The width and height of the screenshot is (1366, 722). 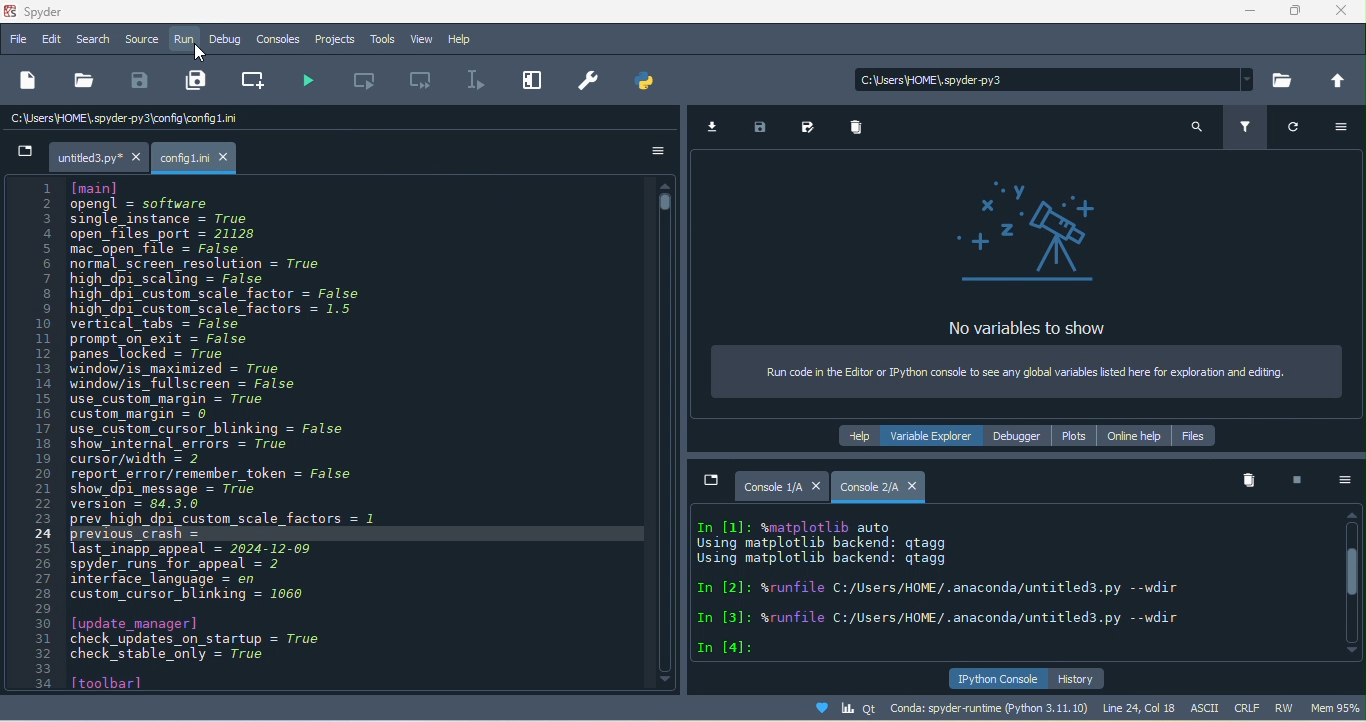 I want to click on minimize, so click(x=1247, y=14).